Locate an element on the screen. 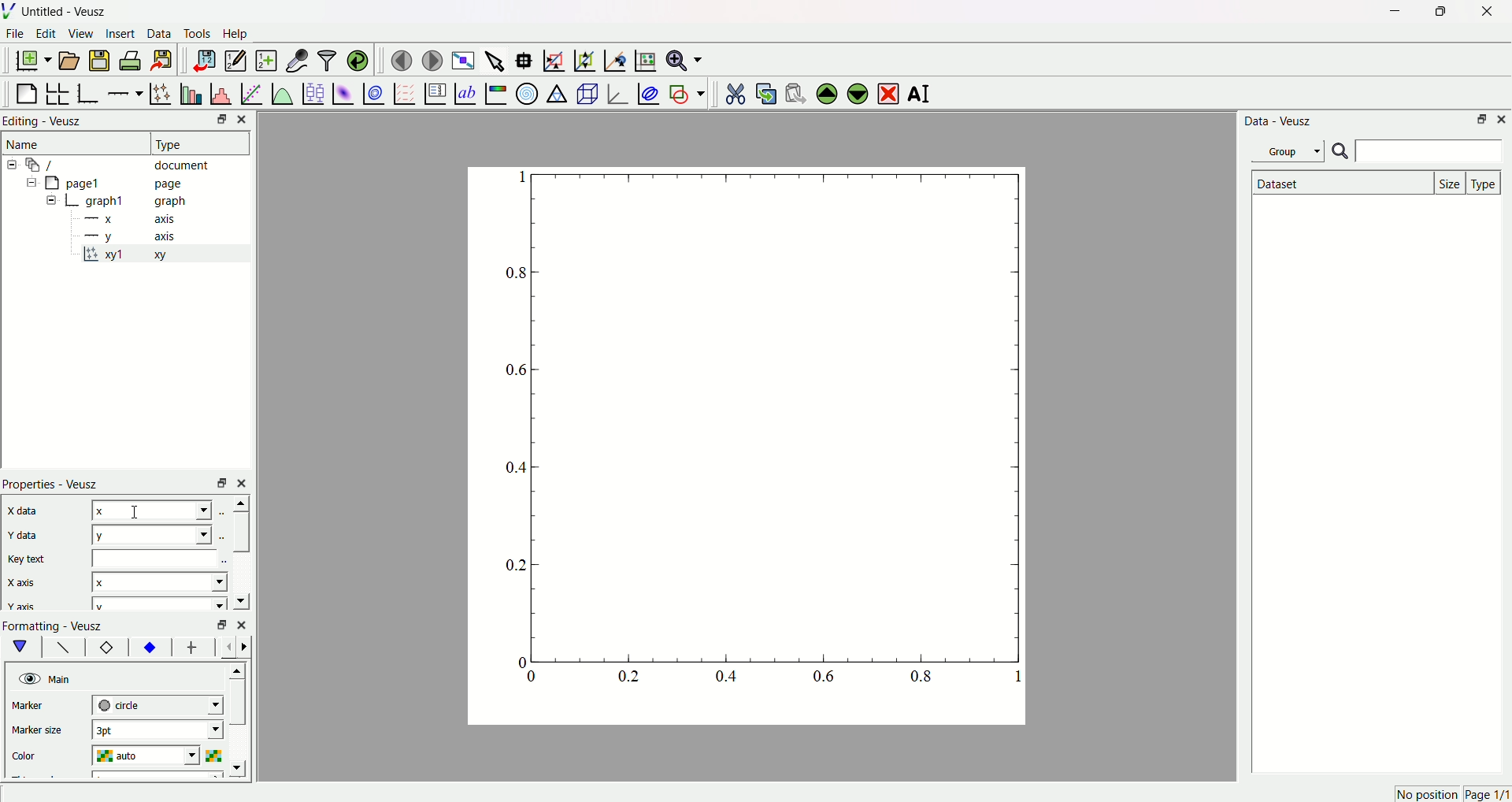  lines and error bars is located at coordinates (160, 92).